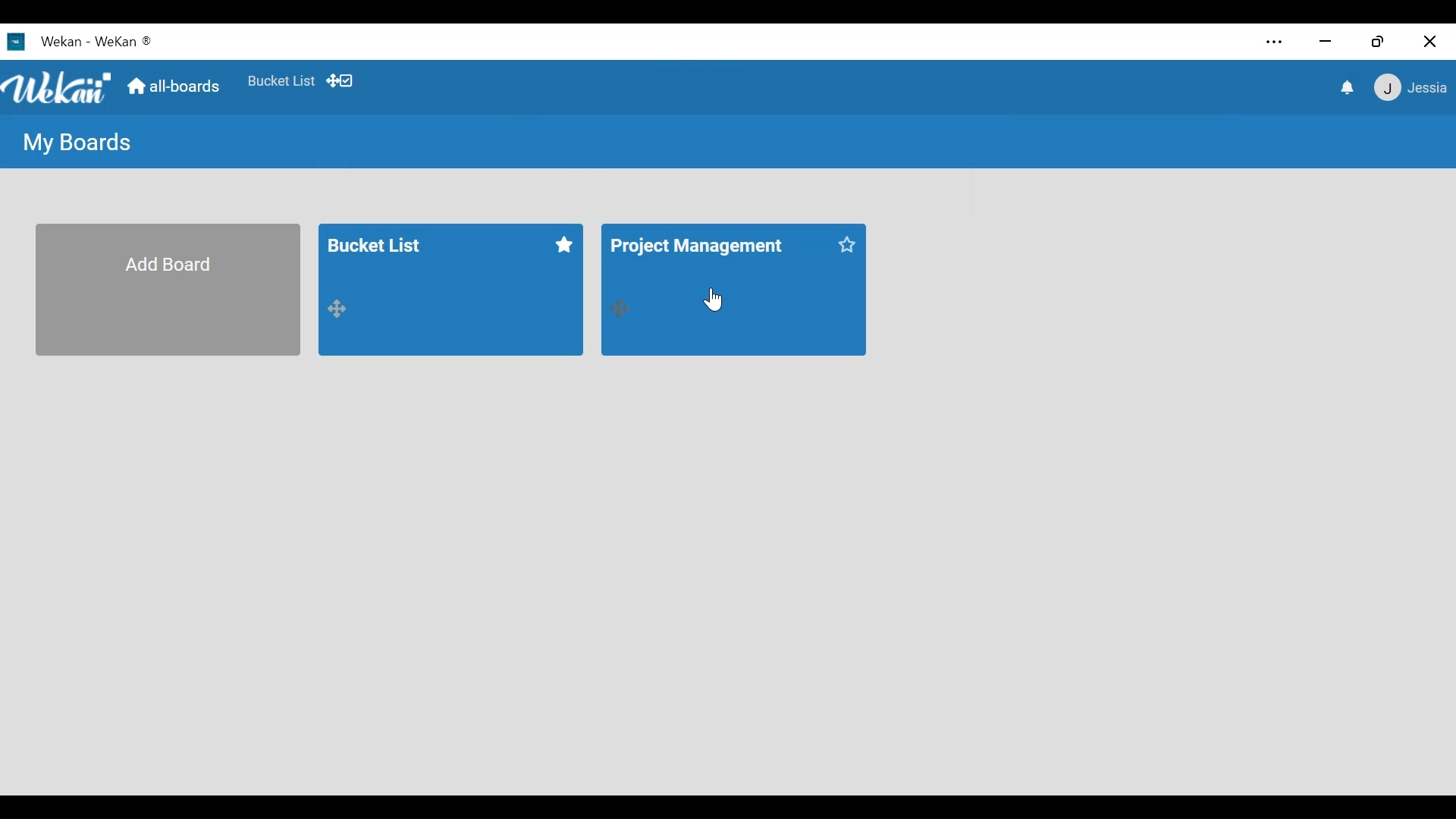 The height and width of the screenshot is (819, 1456). What do you see at coordinates (344, 311) in the screenshot?
I see `drag` at bounding box center [344, 311].